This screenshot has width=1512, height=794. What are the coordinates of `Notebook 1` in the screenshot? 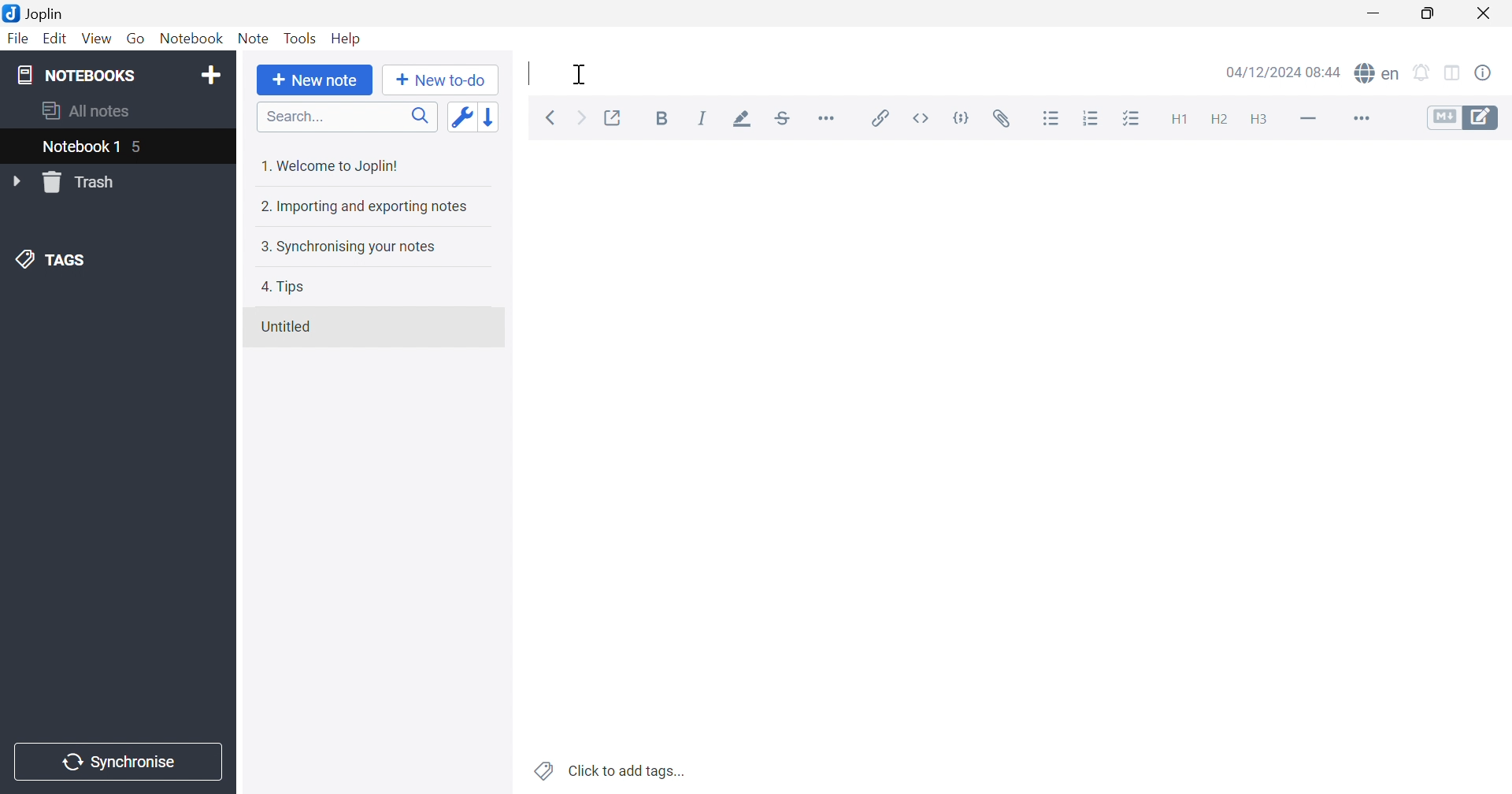 It's located at (79, 149).